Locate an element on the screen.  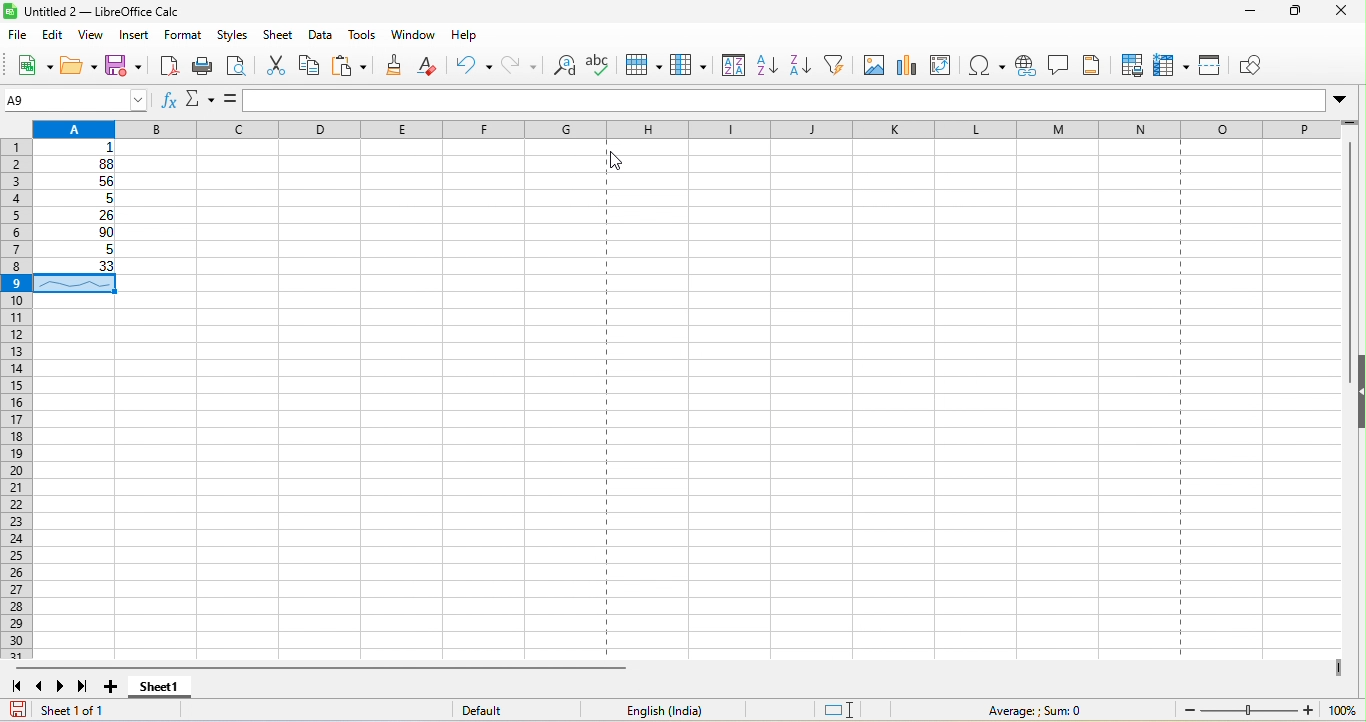
auto filter is located at coordinates (840, 65).